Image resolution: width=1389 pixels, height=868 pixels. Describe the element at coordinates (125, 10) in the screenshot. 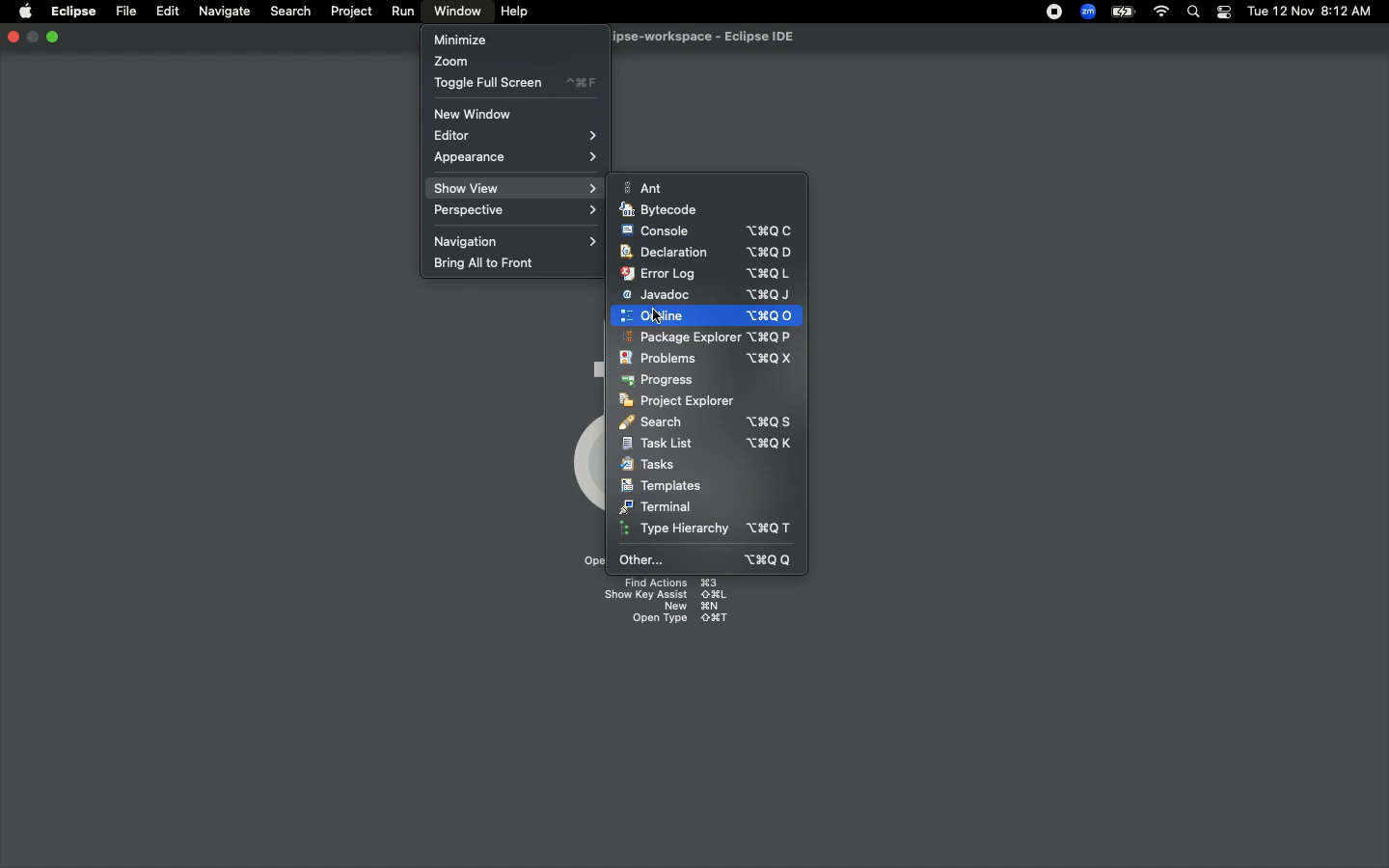

I see `File` at that location.